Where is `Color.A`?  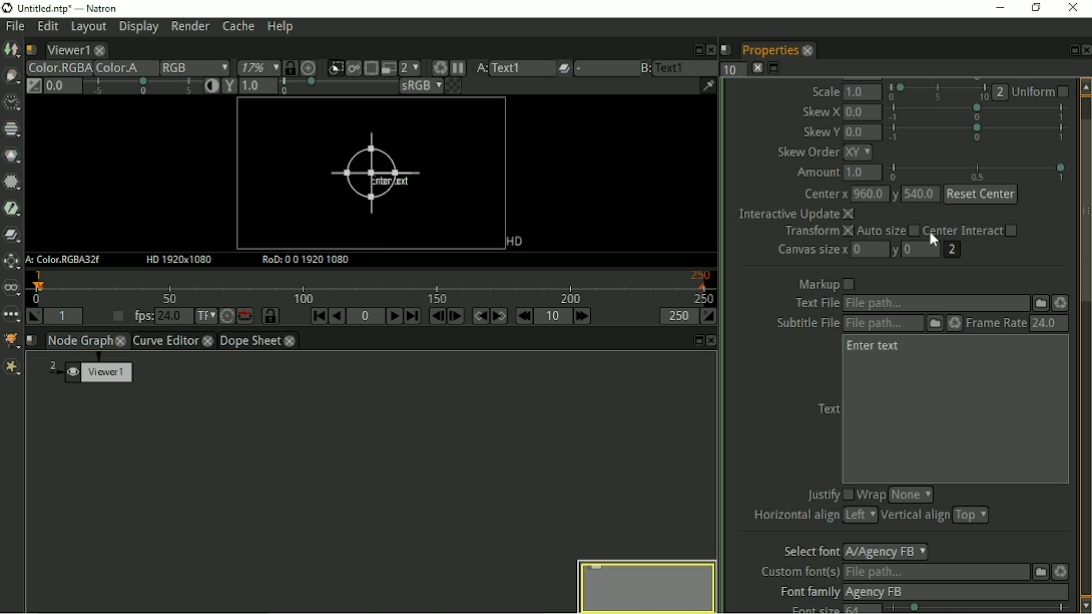 Color.A is located at coordinates (124, 68).